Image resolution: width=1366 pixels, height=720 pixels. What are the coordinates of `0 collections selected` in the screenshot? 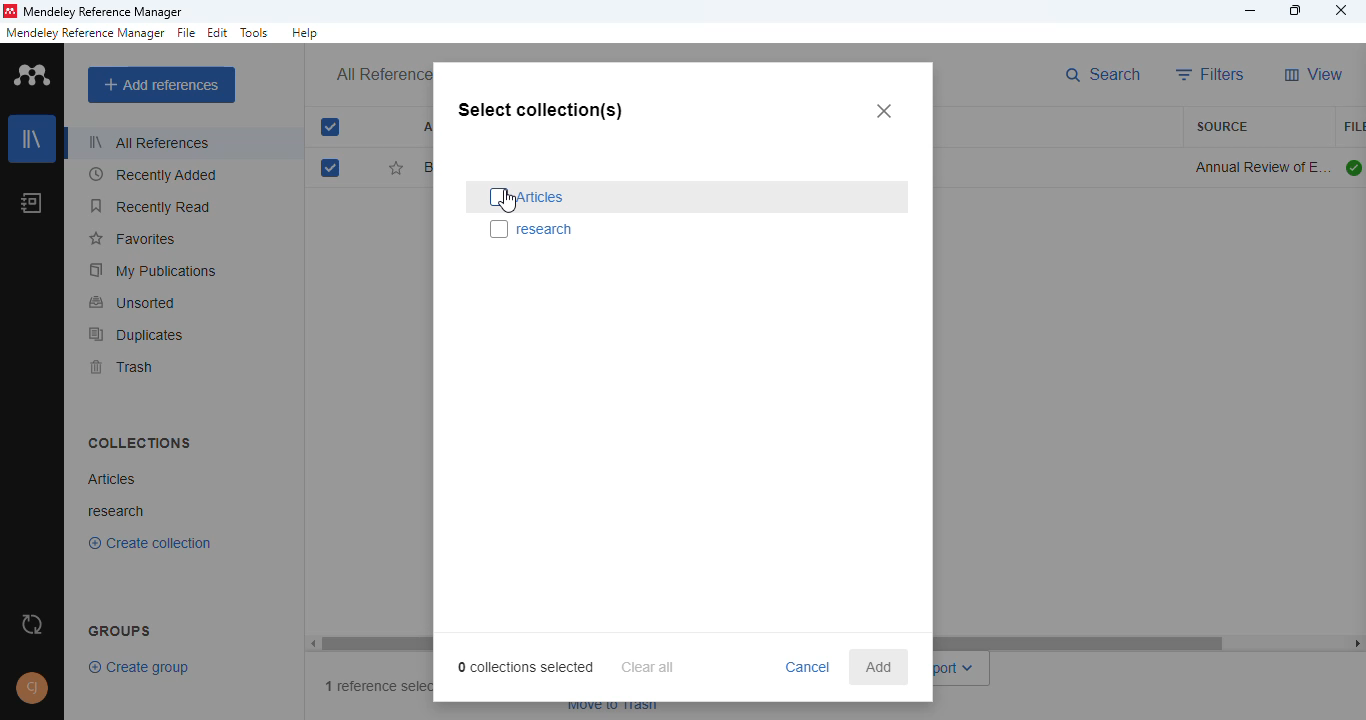 It's located at (525, 667).